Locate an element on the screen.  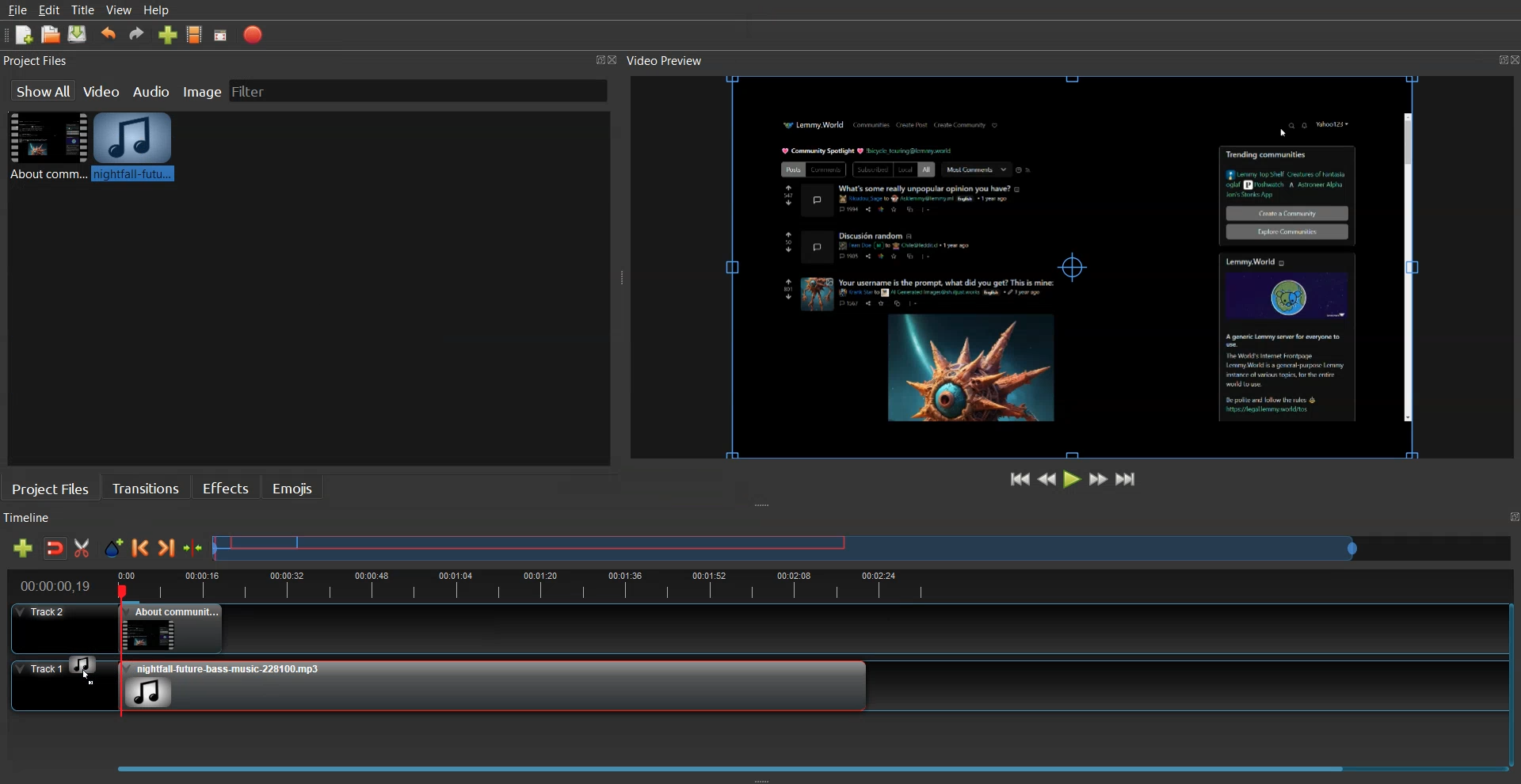
Audio Clip added is located at coordinates (133, 146).